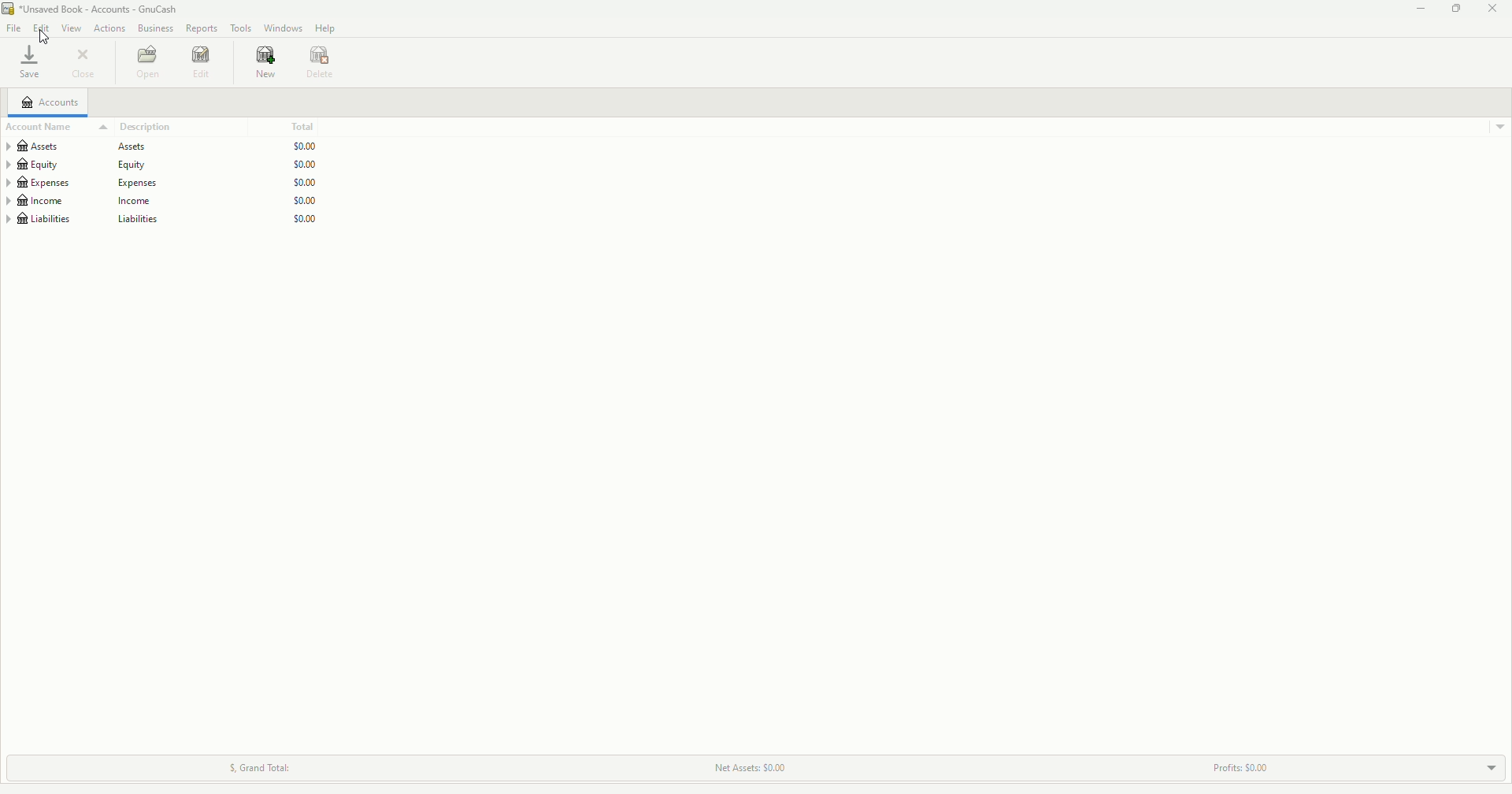  What do you see at coordinates (42, 126) in the screenshot?
I see `Account name` at bounding box center [42, 126].